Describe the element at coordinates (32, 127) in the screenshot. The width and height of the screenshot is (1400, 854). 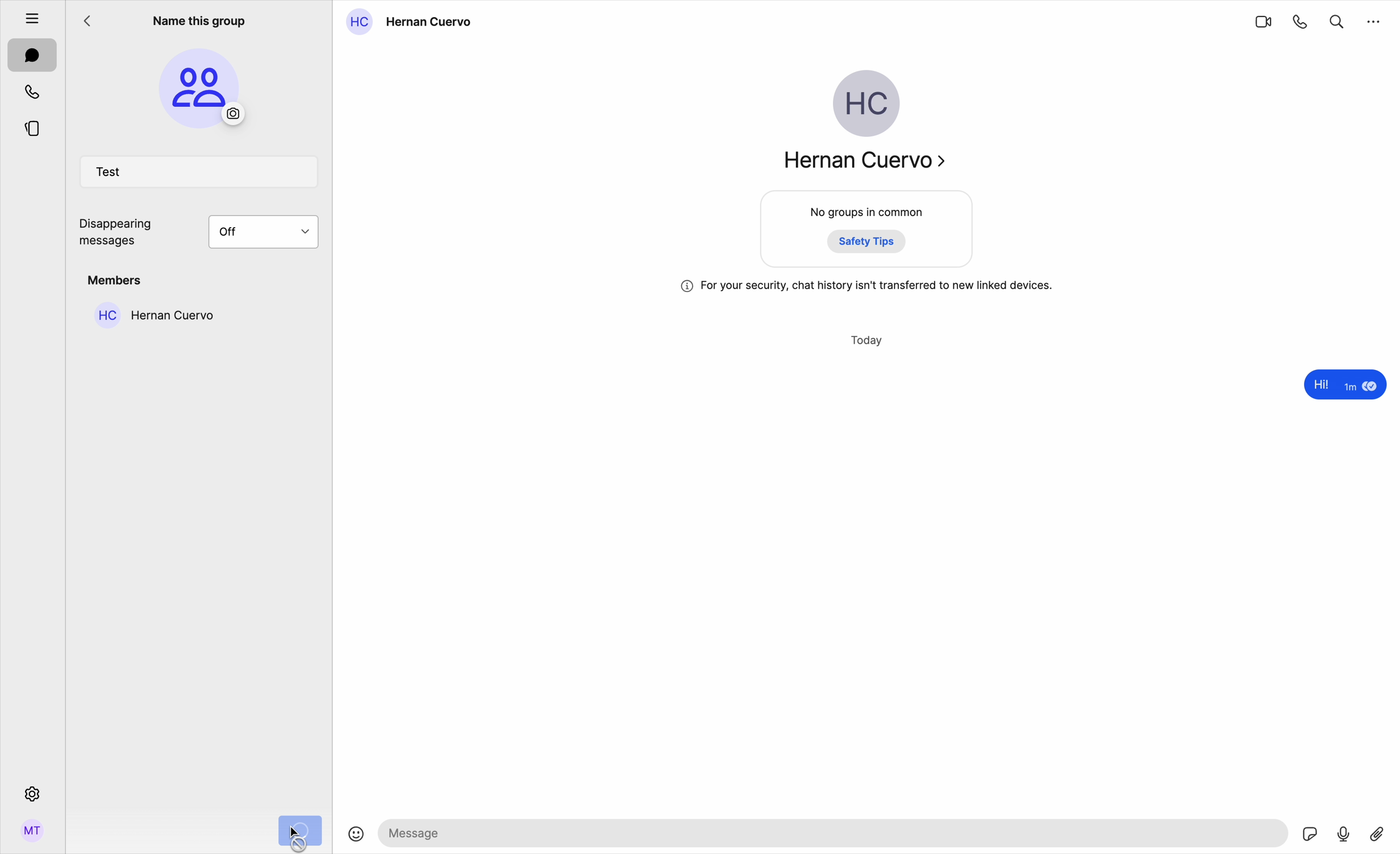
I see `stories` at that location.